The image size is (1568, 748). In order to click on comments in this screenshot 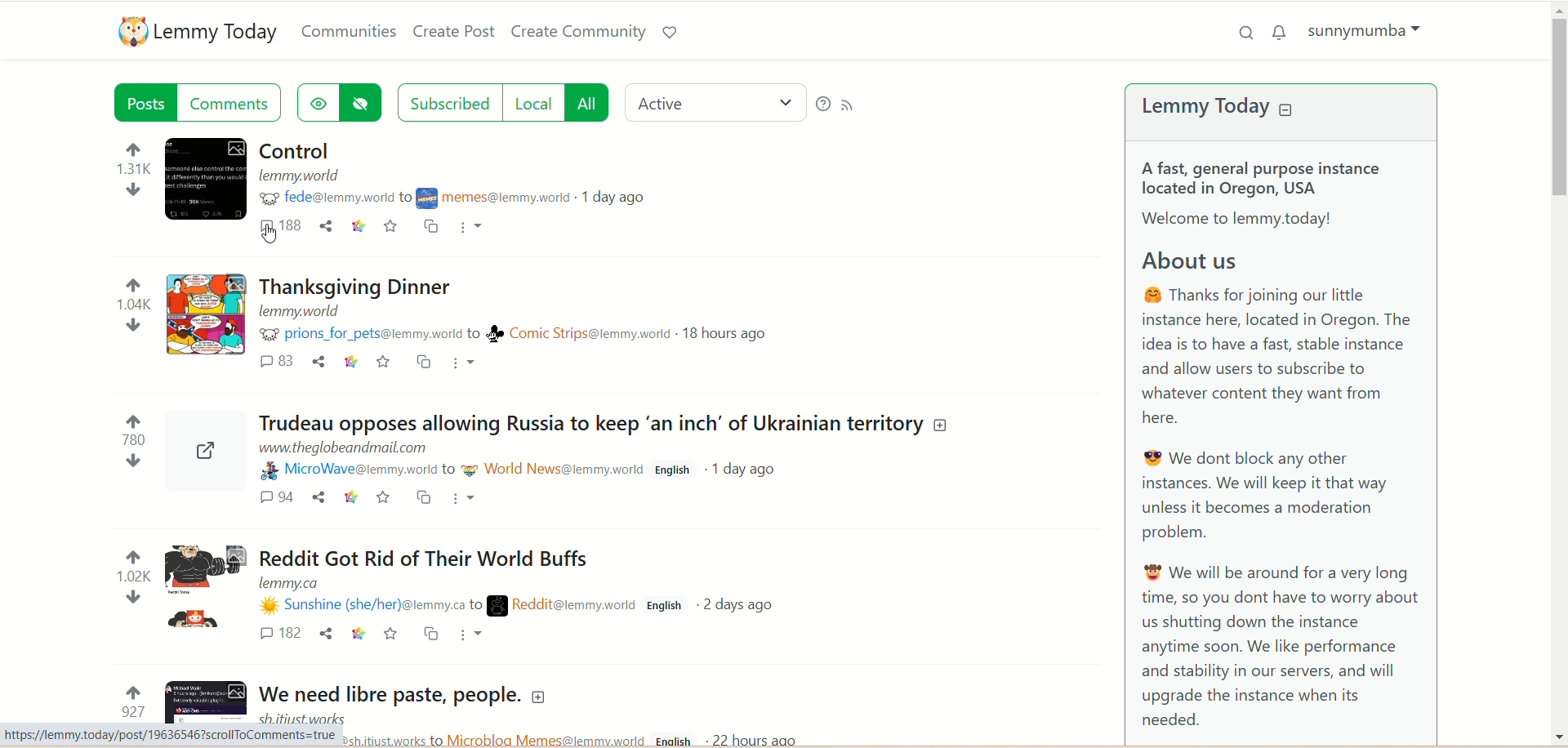, I will do `click(279, 362)`.